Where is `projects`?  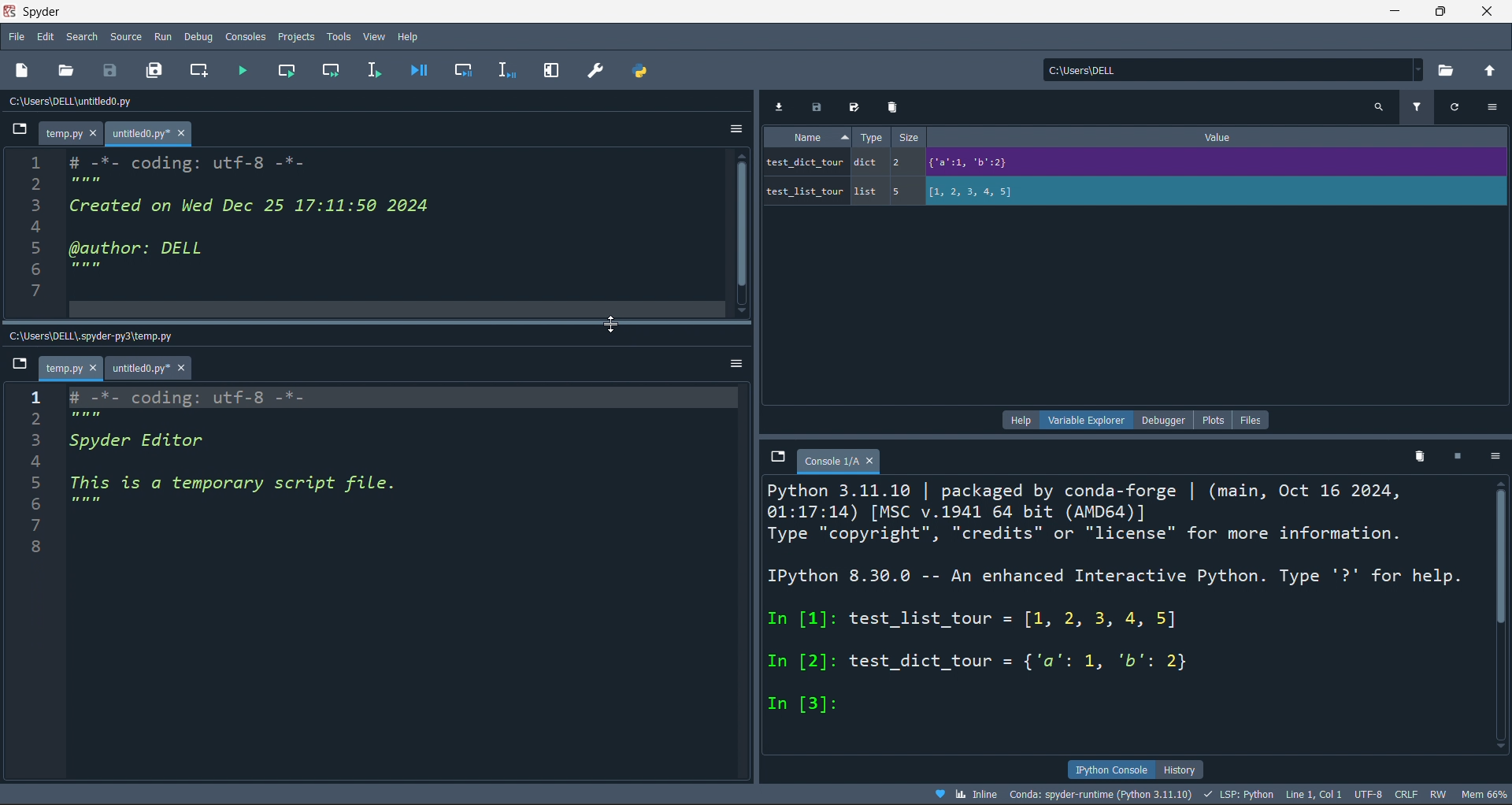 projects is located at coordinates (293, 38).